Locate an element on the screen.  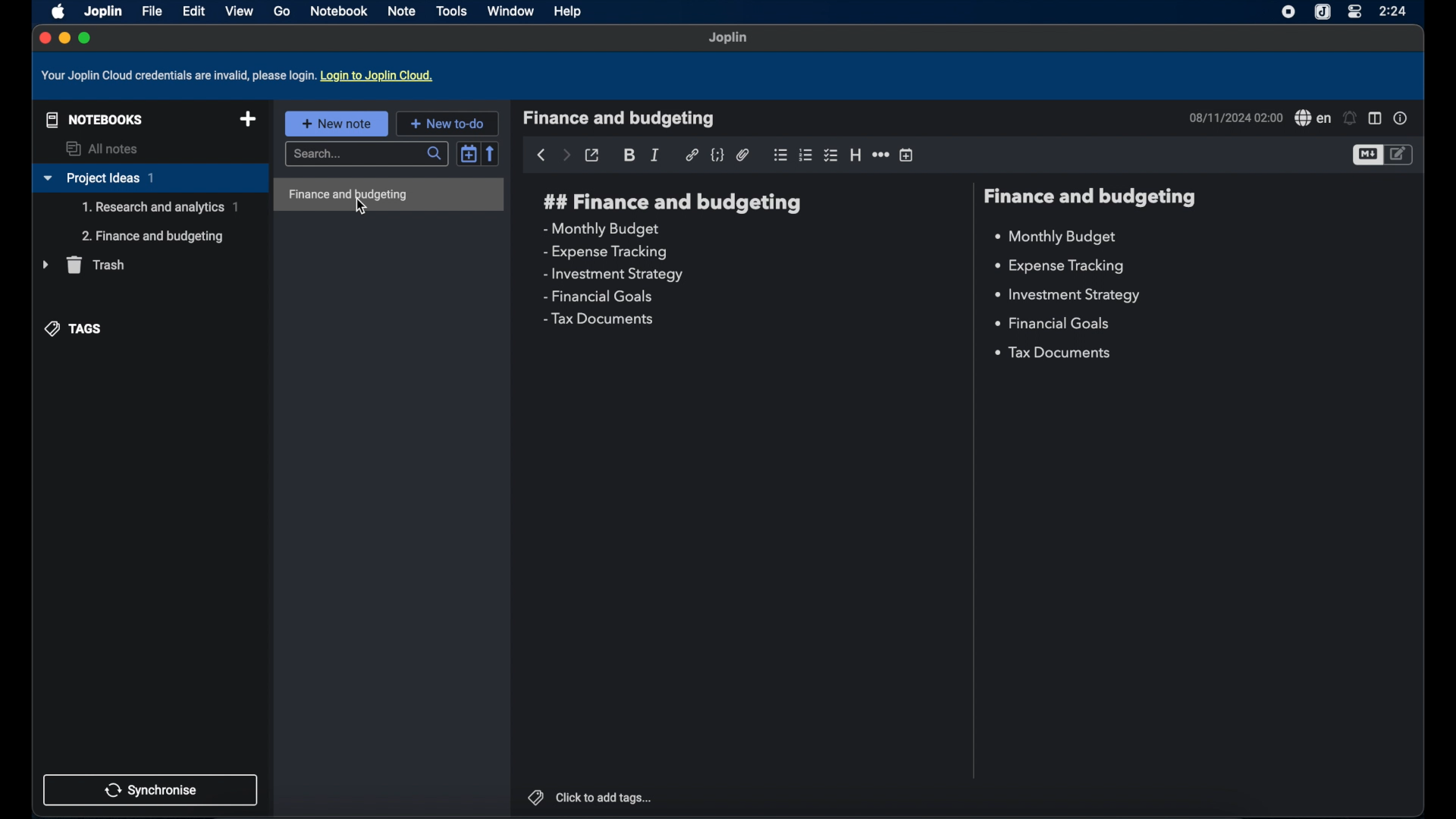
go is located at coordinates (281, 11).